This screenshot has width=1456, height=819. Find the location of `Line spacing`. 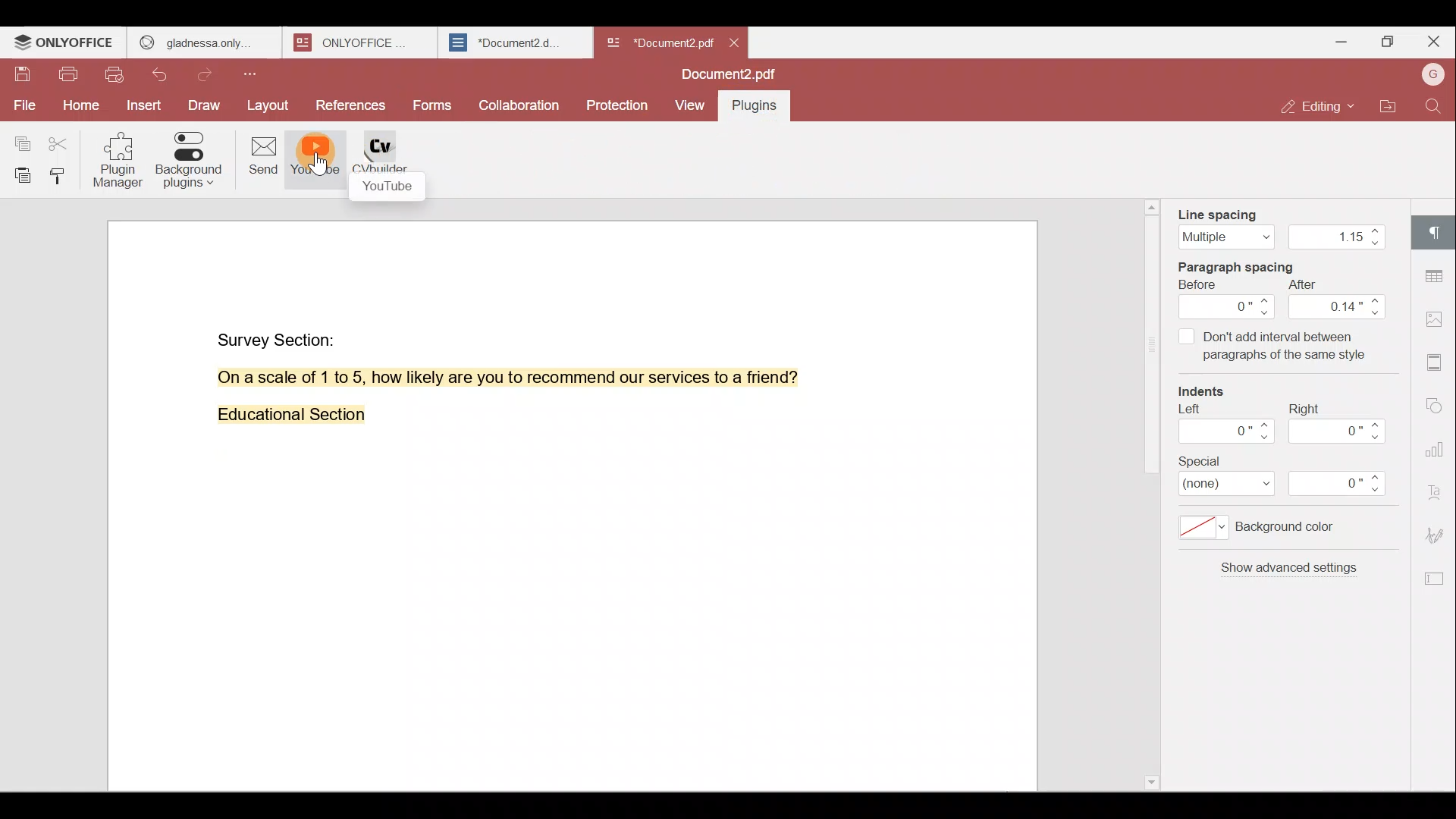

Line spacing is located at coordinates (1279, 224).